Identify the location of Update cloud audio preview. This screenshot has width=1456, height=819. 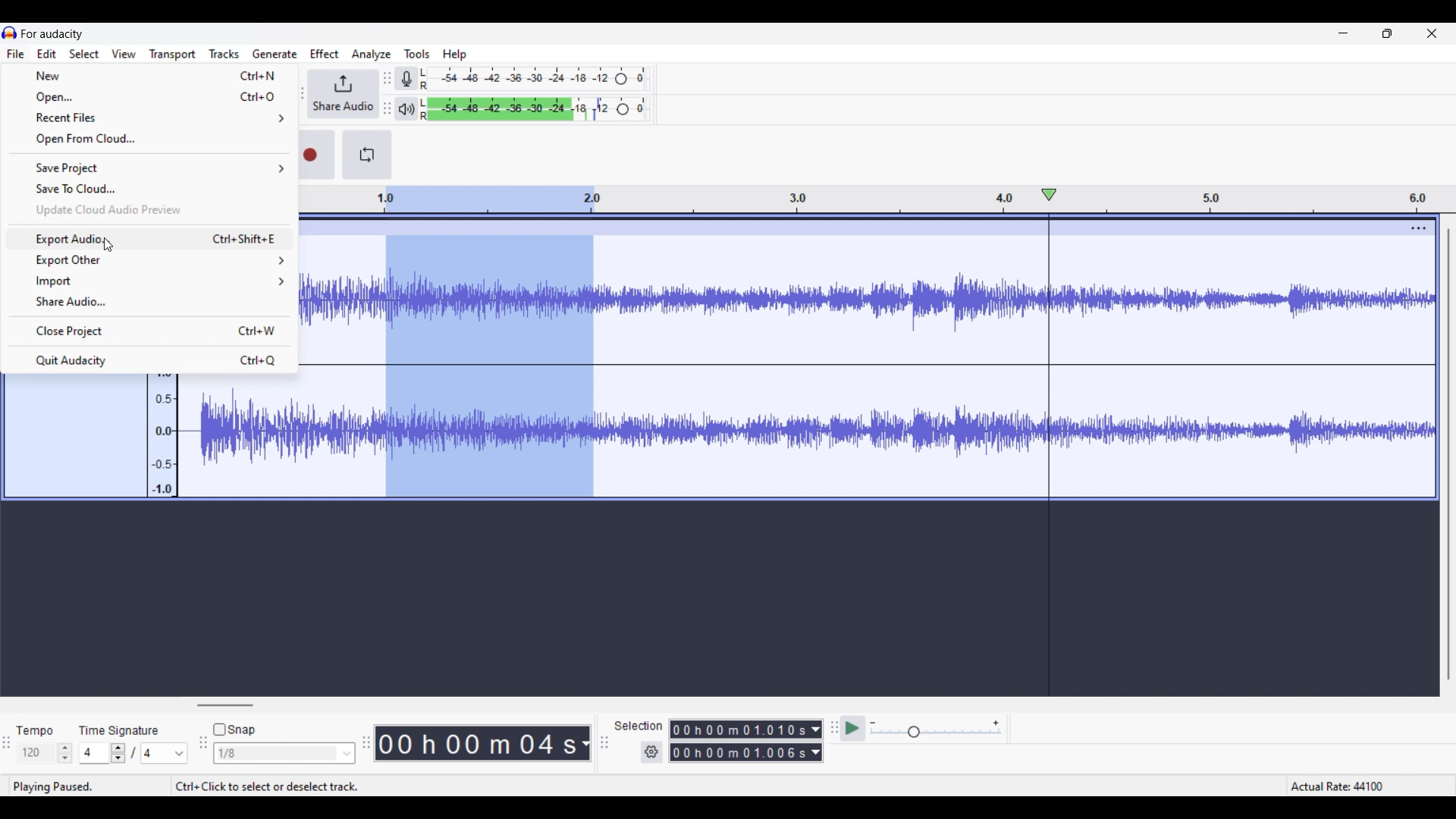
(149, 211).